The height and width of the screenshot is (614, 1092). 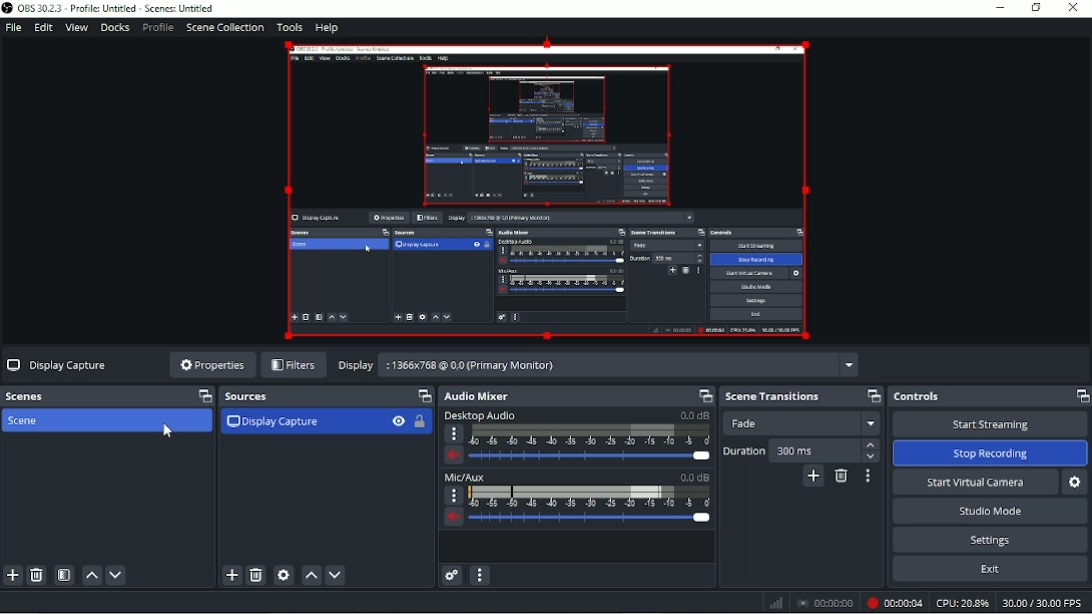 What do you see at coordinates (992, 540) in the screenshot?
I see `Settings` at bounding box center [992, 540].